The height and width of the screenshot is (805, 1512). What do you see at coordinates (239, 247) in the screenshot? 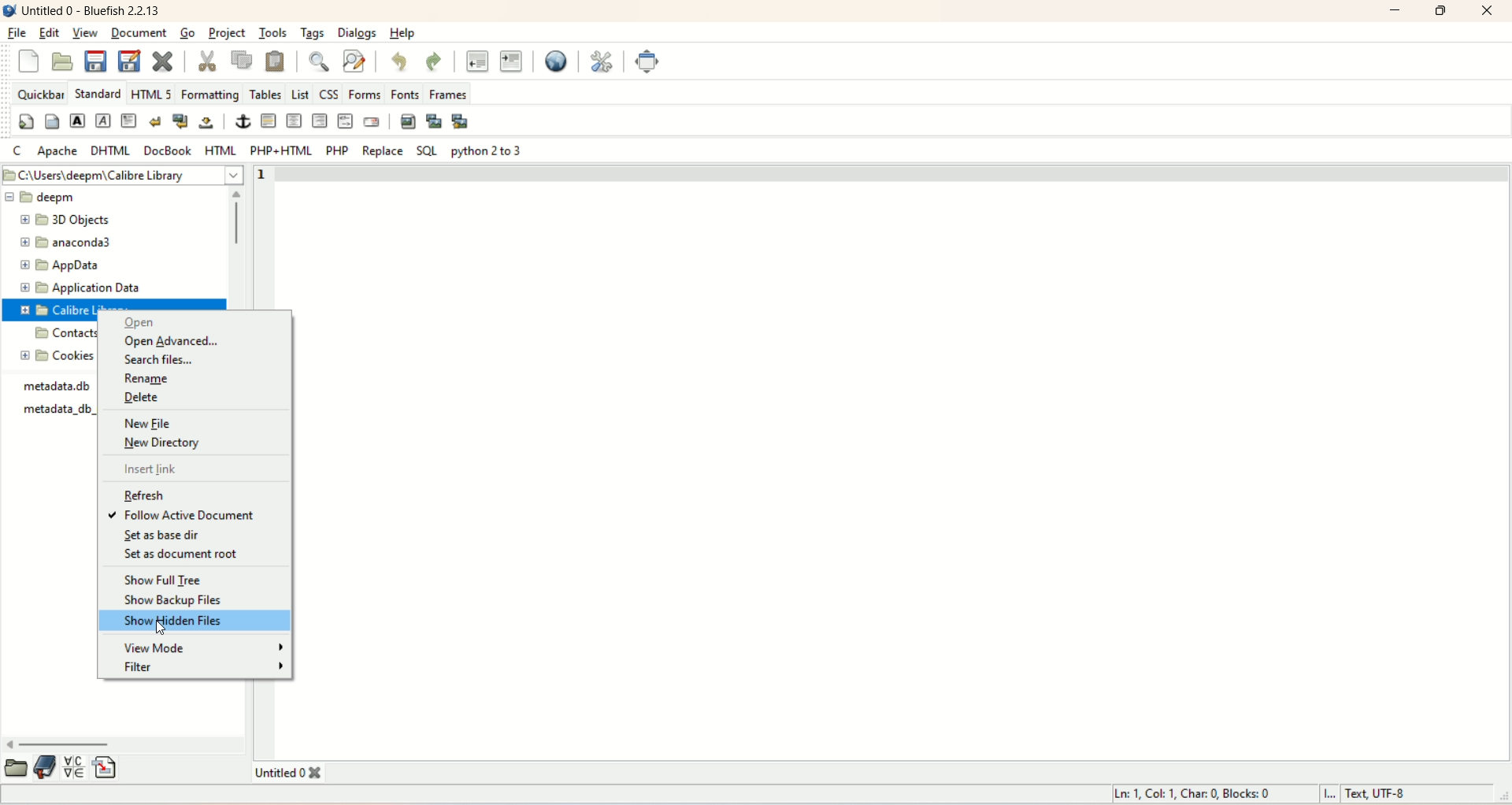
I see `vertical scroll bar` at bounding box center [239, 247].